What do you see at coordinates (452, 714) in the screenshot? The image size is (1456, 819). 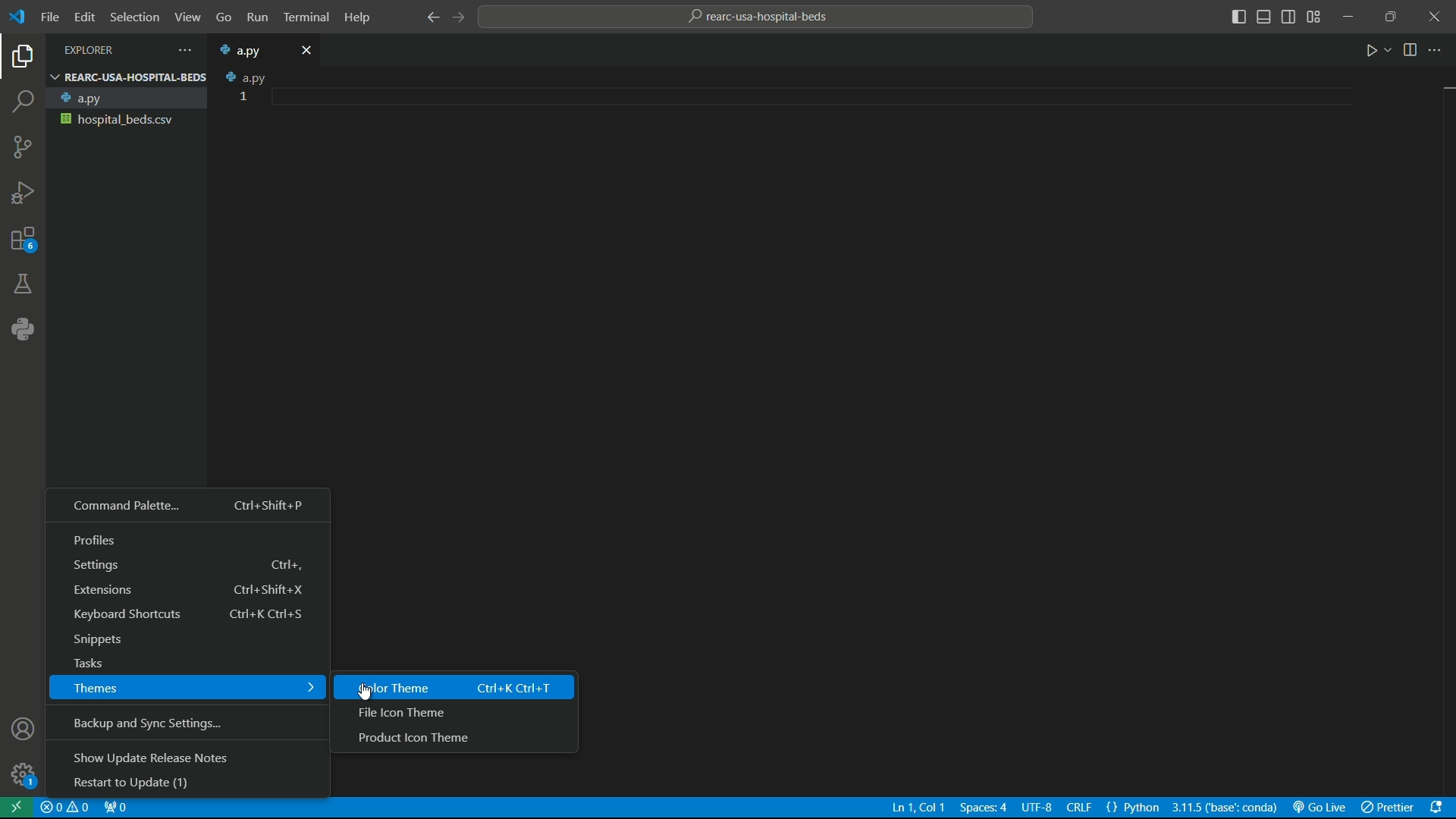 I see `file icon theme` at bounding box center [452, 714].